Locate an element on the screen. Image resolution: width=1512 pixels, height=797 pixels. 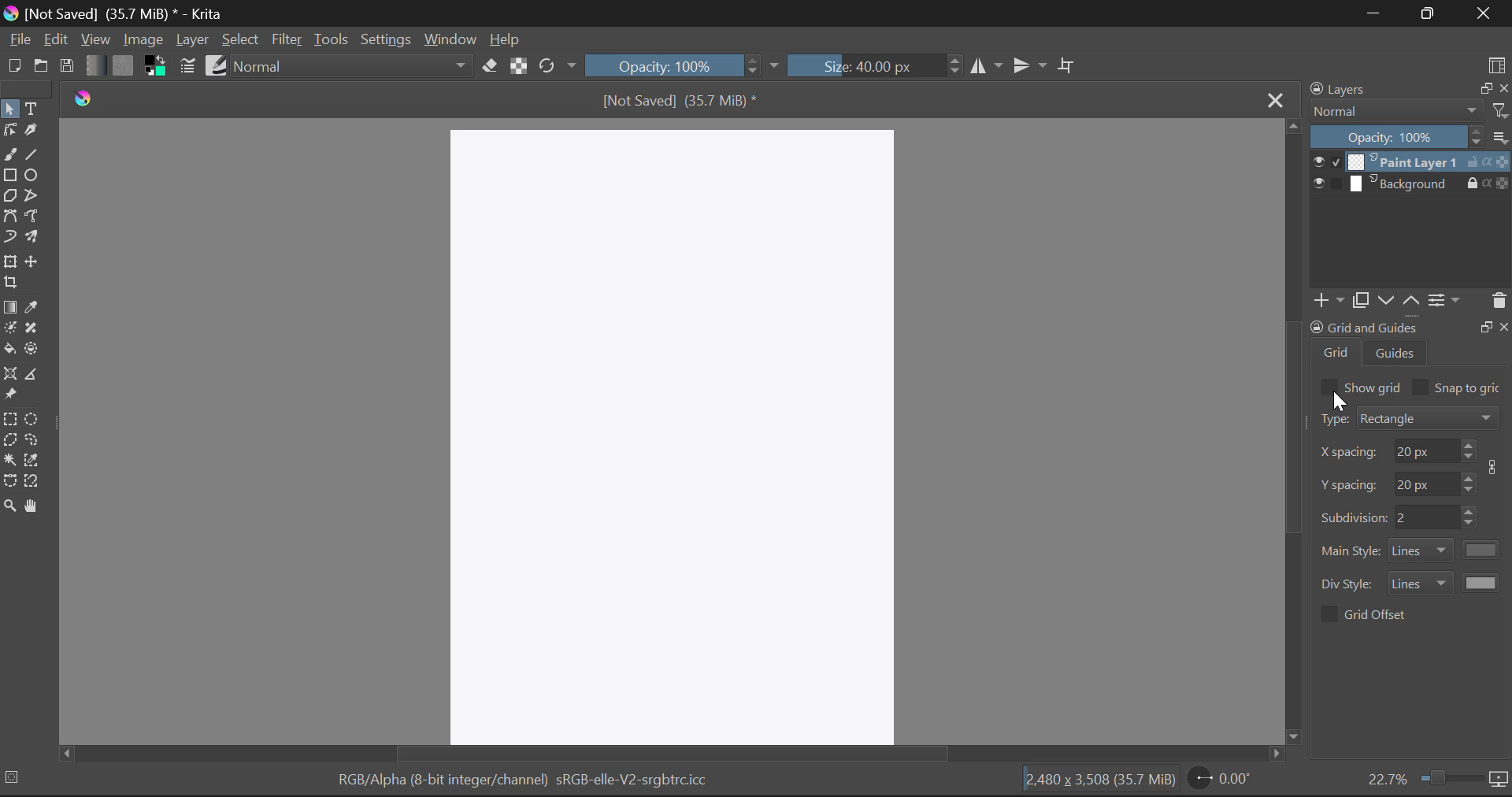
spacing y is located at coordinates (1350, 484).